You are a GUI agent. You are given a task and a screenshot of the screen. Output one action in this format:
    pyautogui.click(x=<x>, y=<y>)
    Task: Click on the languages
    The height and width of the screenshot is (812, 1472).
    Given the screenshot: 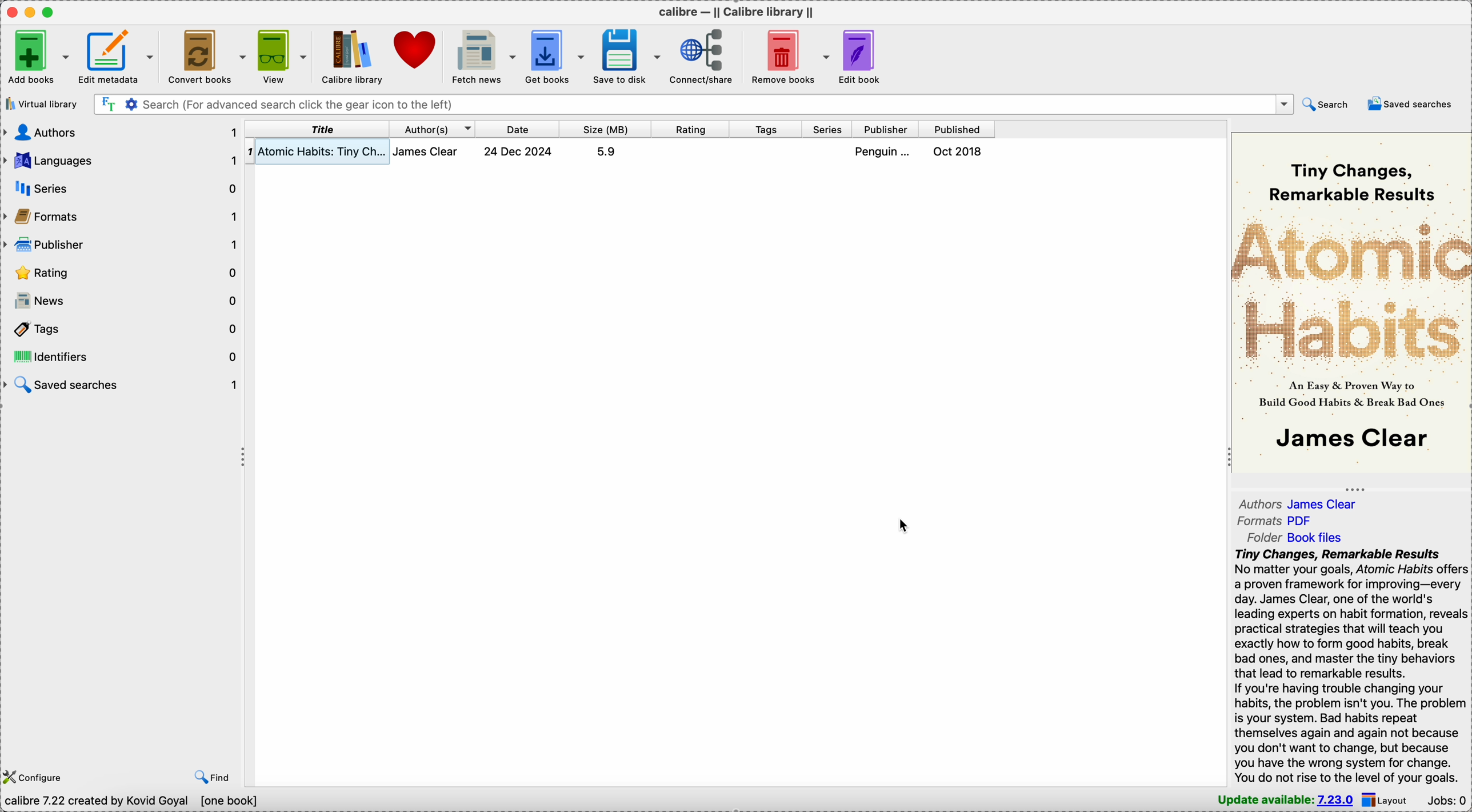 What is the action you would take?
    pyautogui.click(x=122, y=161)
    